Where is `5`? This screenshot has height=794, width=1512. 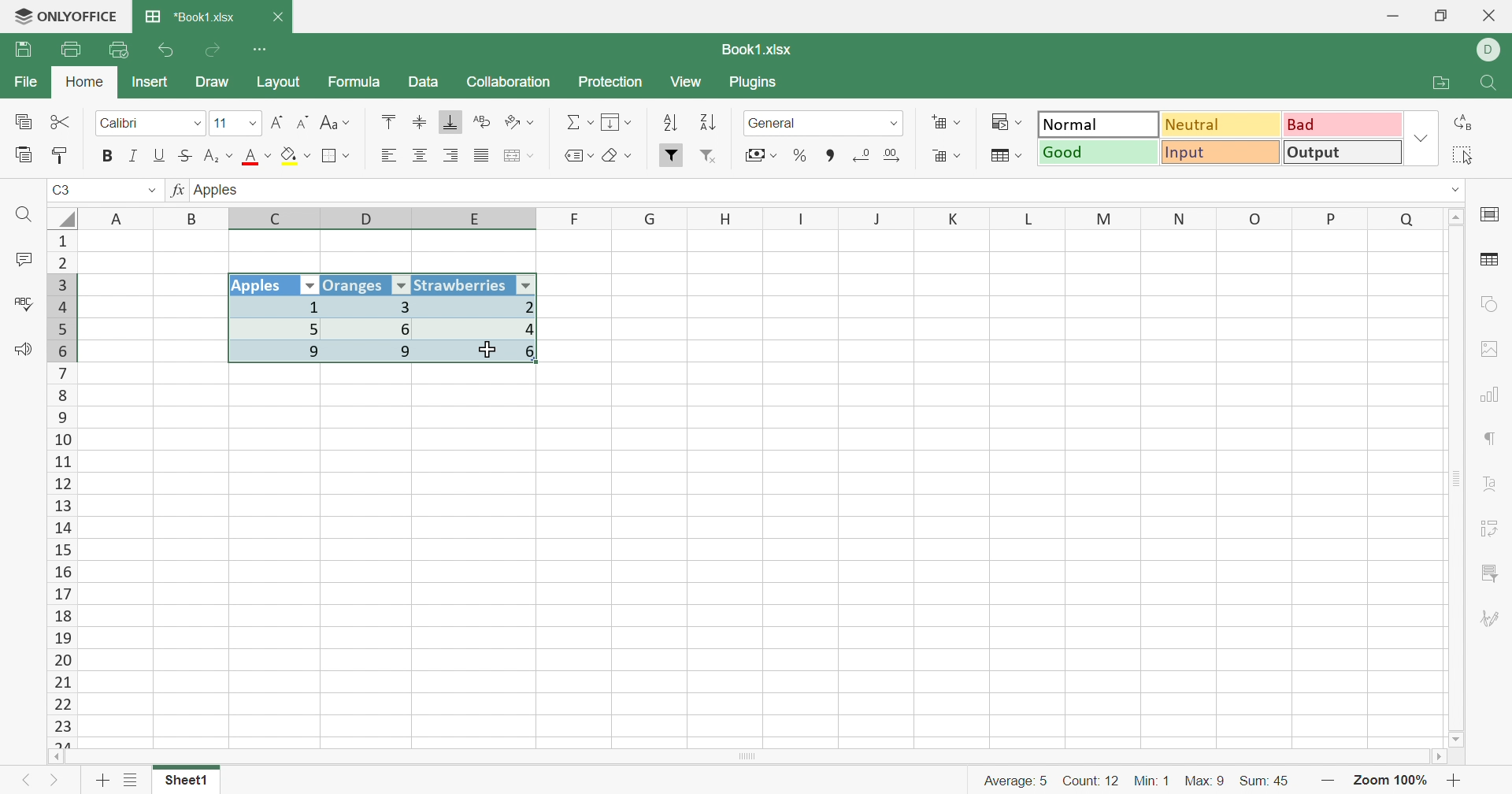
5 is located at coordinates (277, 328).